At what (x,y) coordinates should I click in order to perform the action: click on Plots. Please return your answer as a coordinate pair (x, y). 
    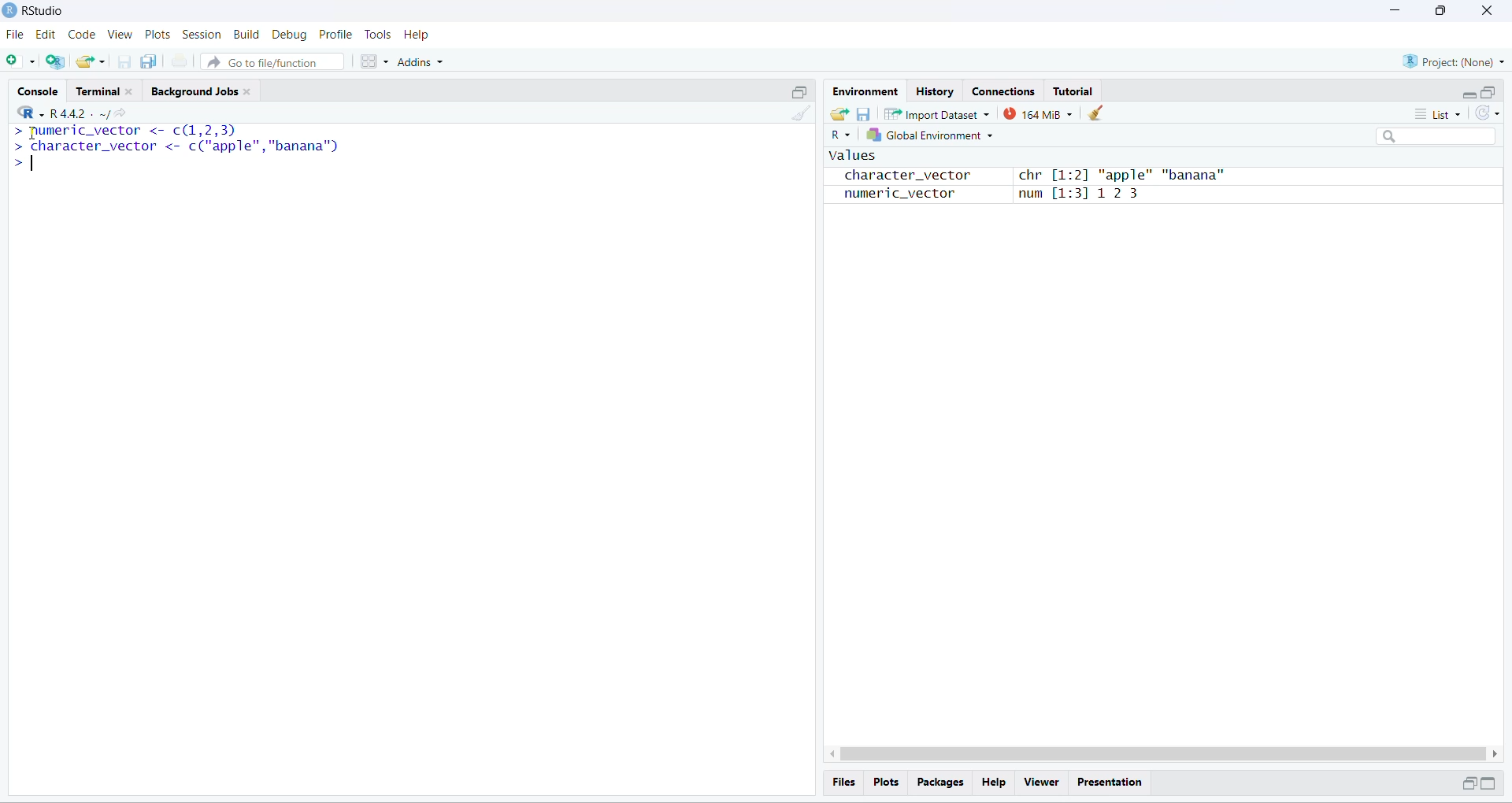
    Looking at the image, I should click on (884, 781).